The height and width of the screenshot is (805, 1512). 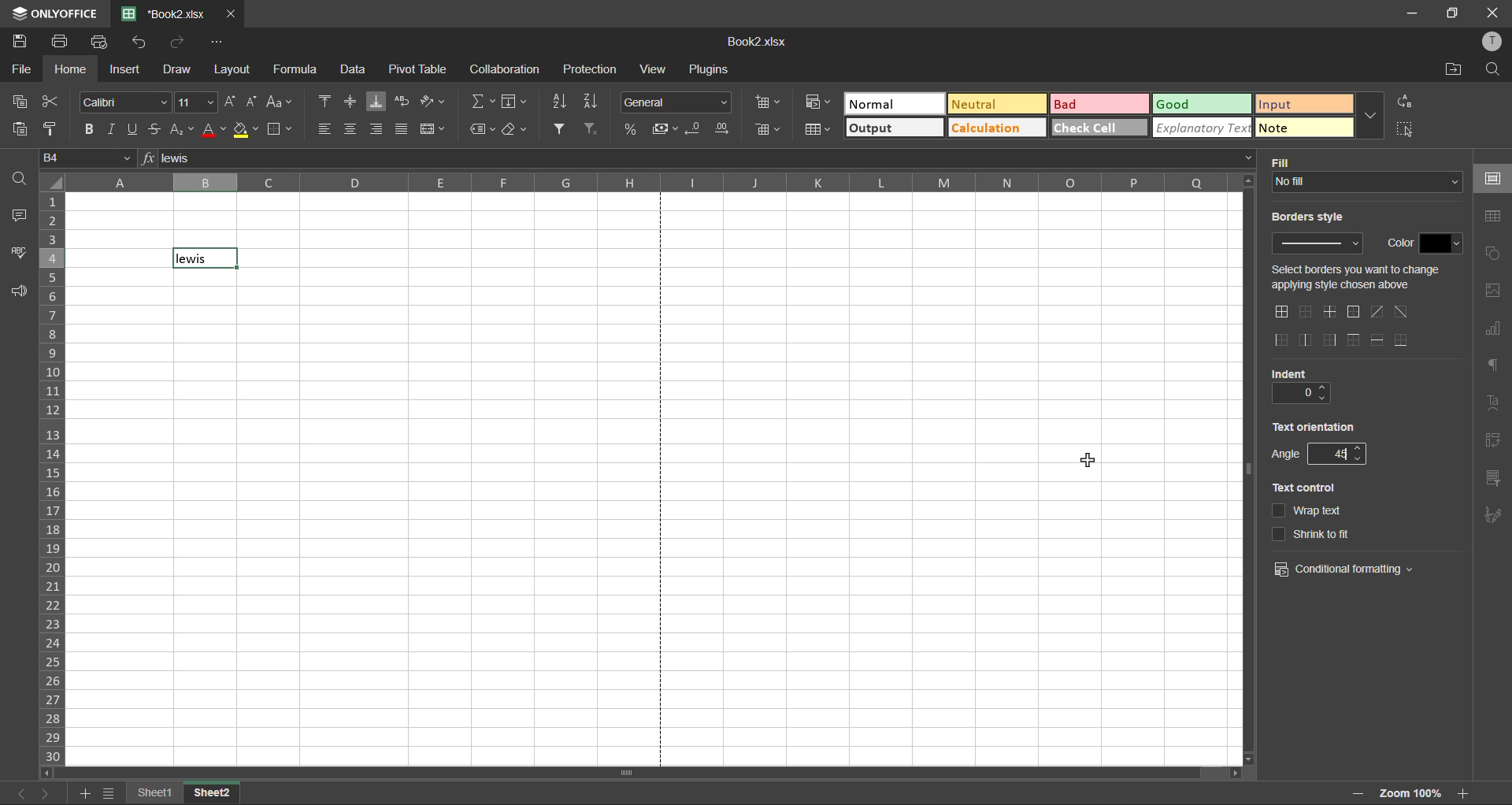 I want to click on align top, so click(x=328, y=103).